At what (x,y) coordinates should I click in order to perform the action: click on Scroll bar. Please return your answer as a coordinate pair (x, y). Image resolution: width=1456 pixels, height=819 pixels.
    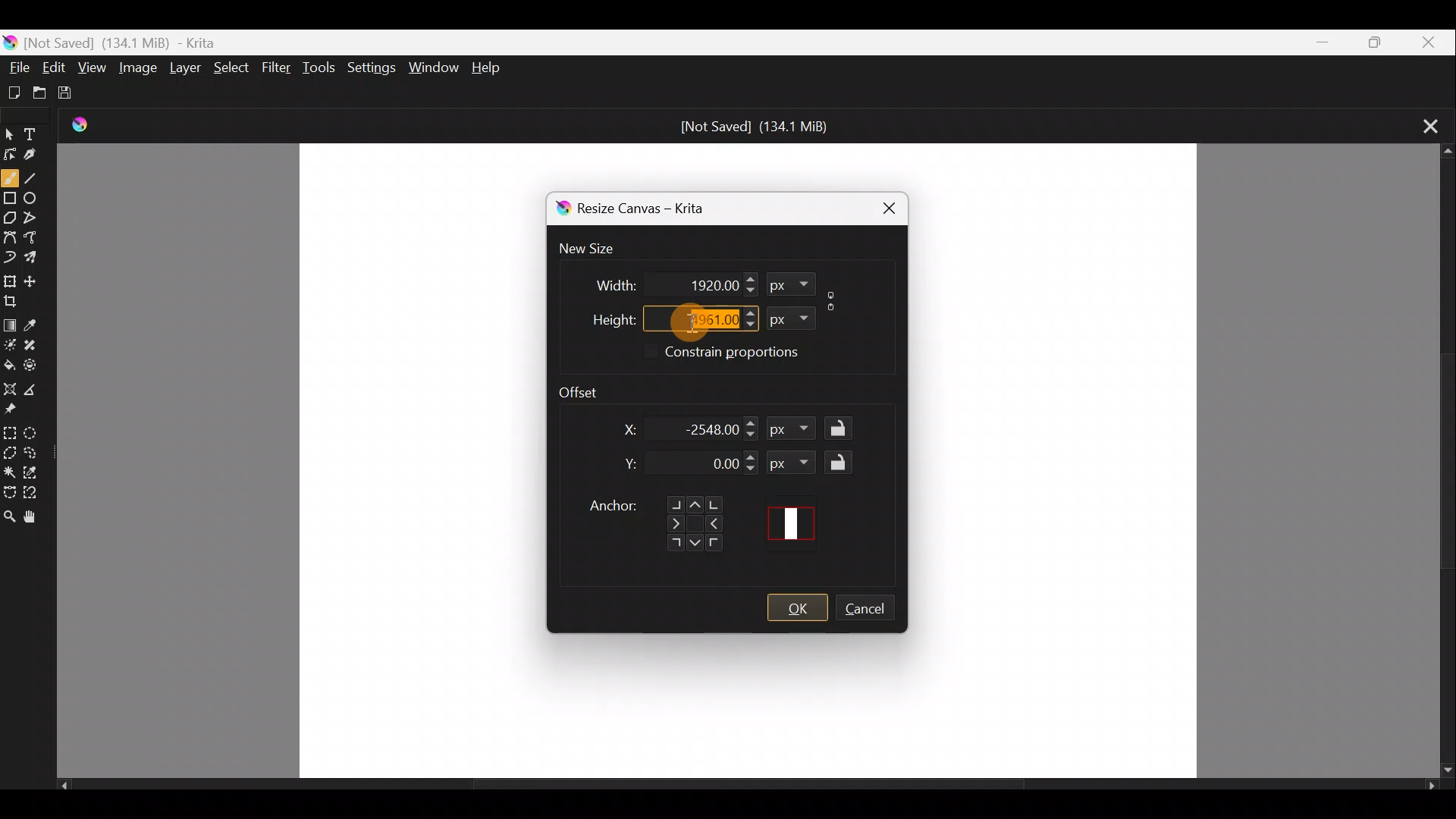
    Looking at the image, I should click on (748, 789).